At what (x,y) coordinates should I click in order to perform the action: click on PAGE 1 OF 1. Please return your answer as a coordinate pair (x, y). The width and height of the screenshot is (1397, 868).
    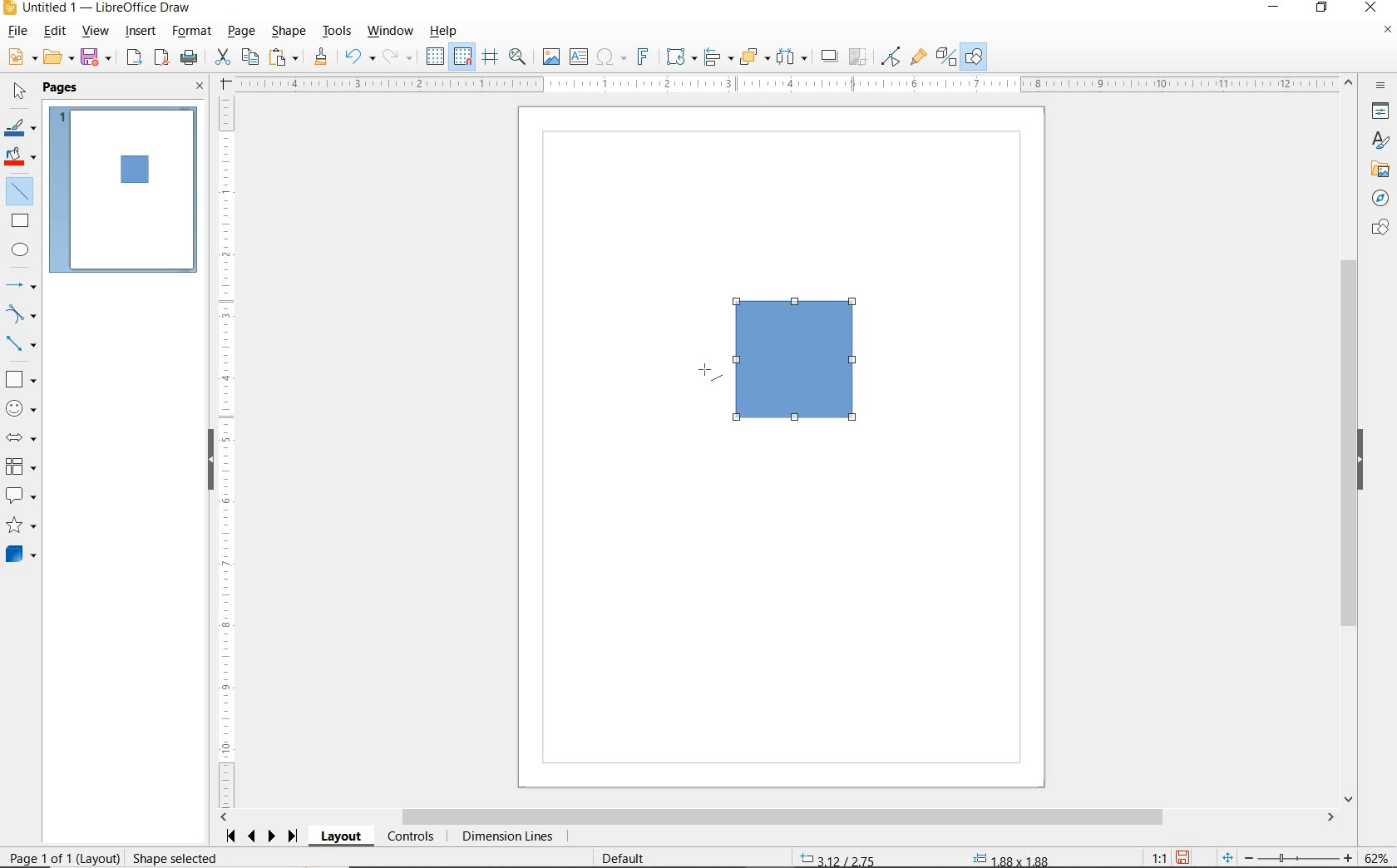
    Looking at the image, I should click on (60, 860).